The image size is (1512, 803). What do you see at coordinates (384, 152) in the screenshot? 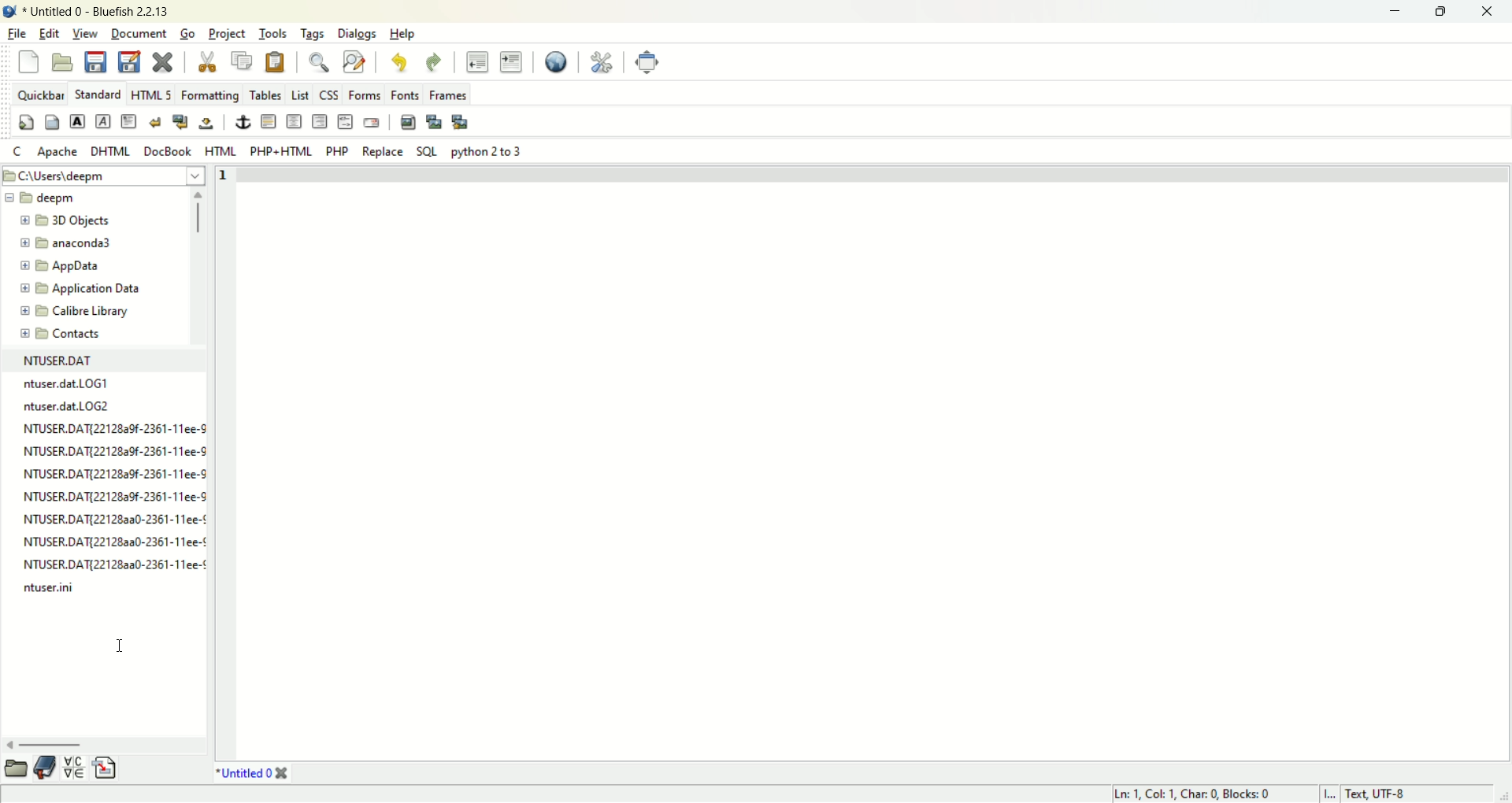
I see `Replace` at bounding box center [384, 152].